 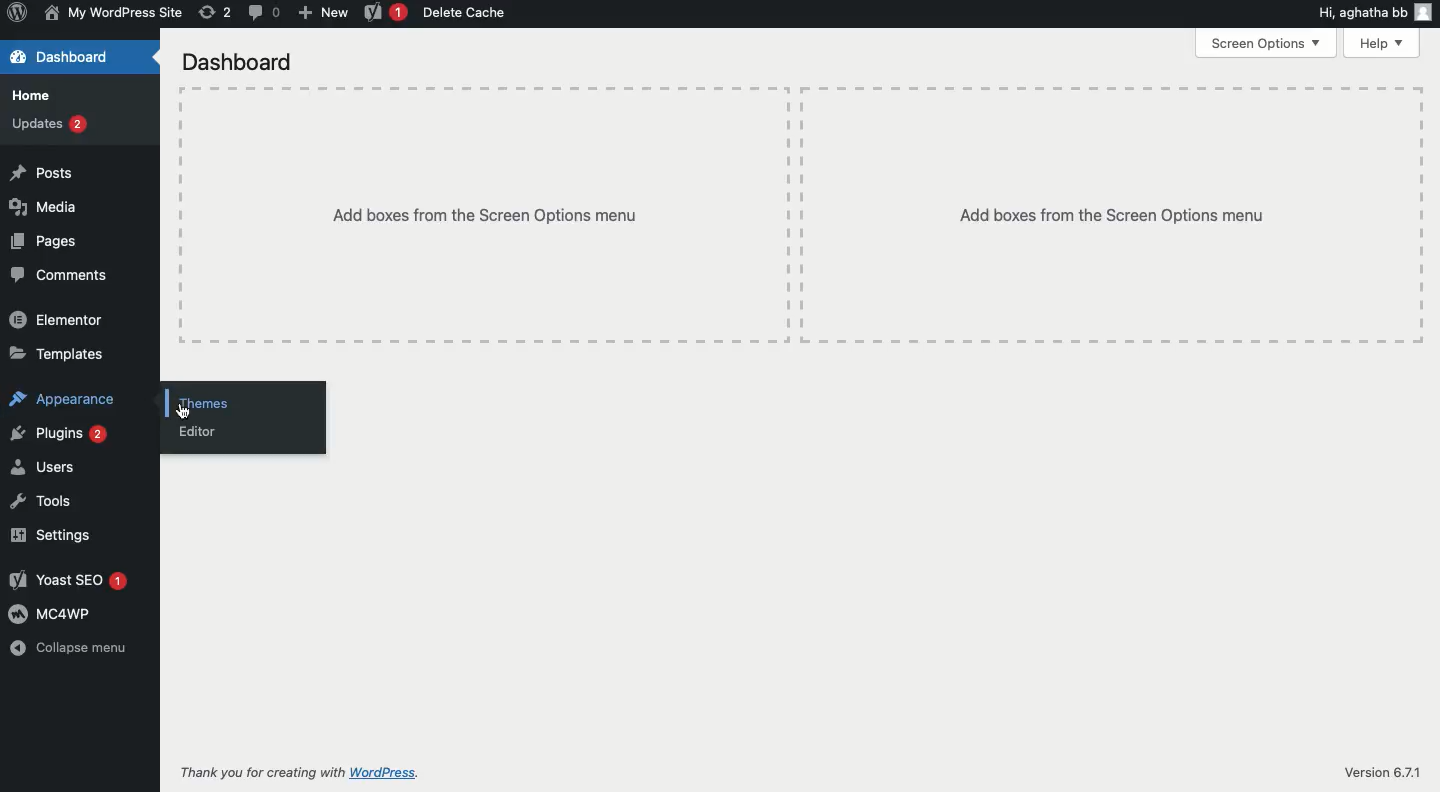 I want to click on Revision, so click(x=217, y=11).